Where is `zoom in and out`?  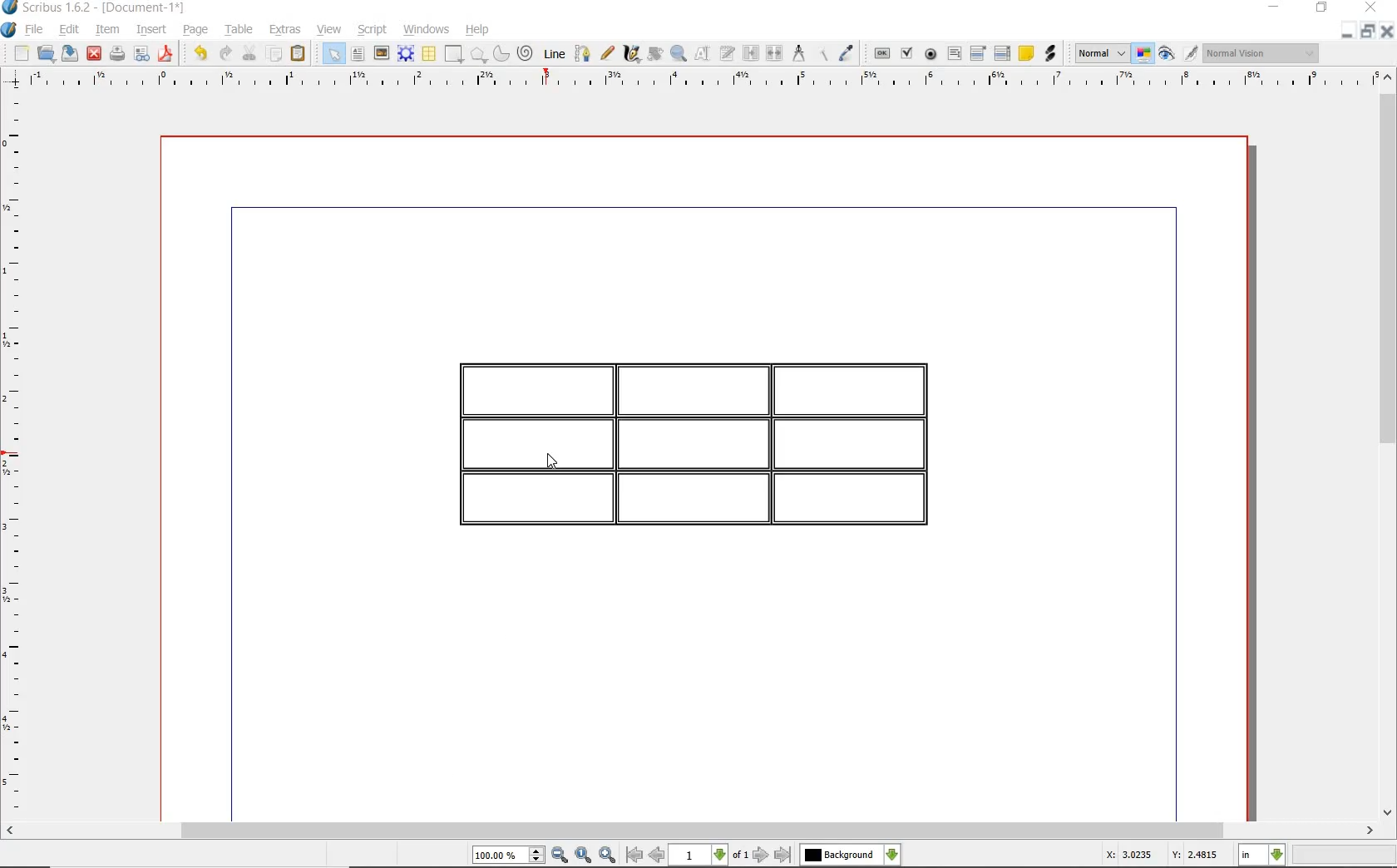
zoom in and out is located at coordinates (679, 54).